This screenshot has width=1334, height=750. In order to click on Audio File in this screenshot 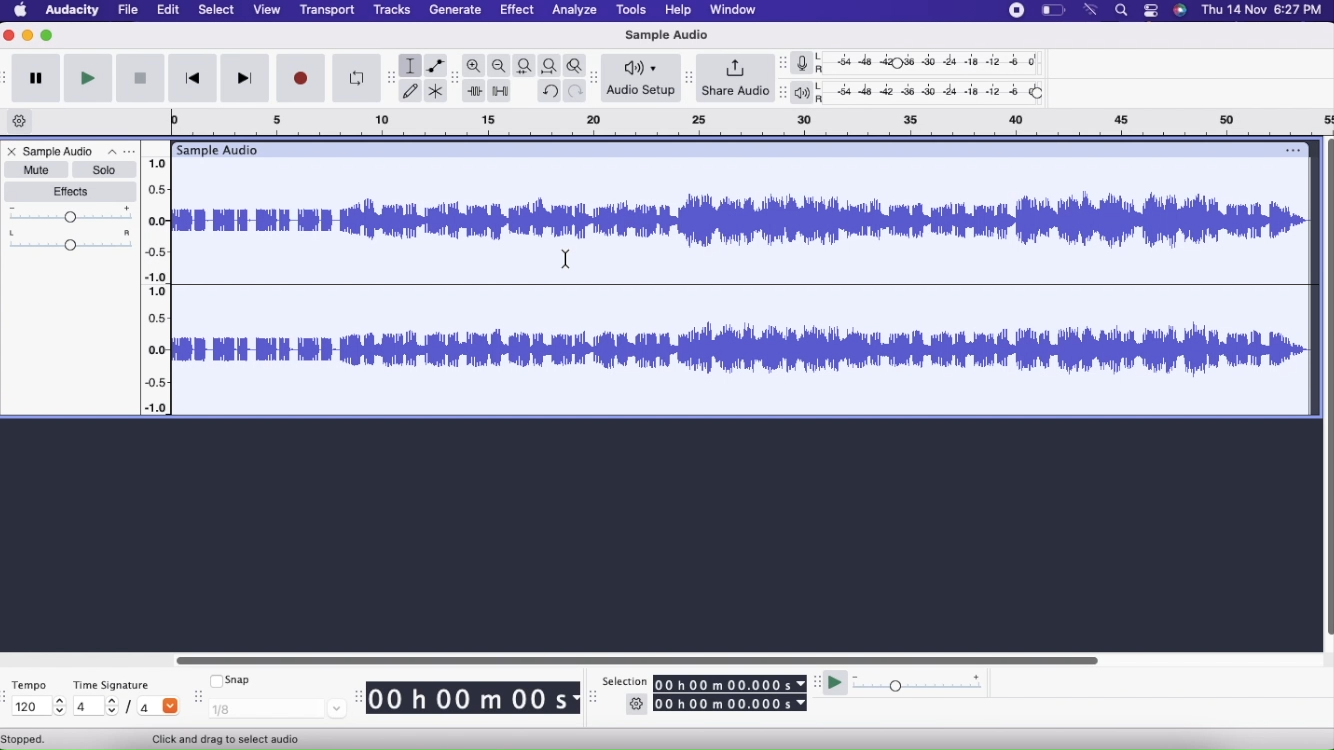, I will do `click(740, 286)`.